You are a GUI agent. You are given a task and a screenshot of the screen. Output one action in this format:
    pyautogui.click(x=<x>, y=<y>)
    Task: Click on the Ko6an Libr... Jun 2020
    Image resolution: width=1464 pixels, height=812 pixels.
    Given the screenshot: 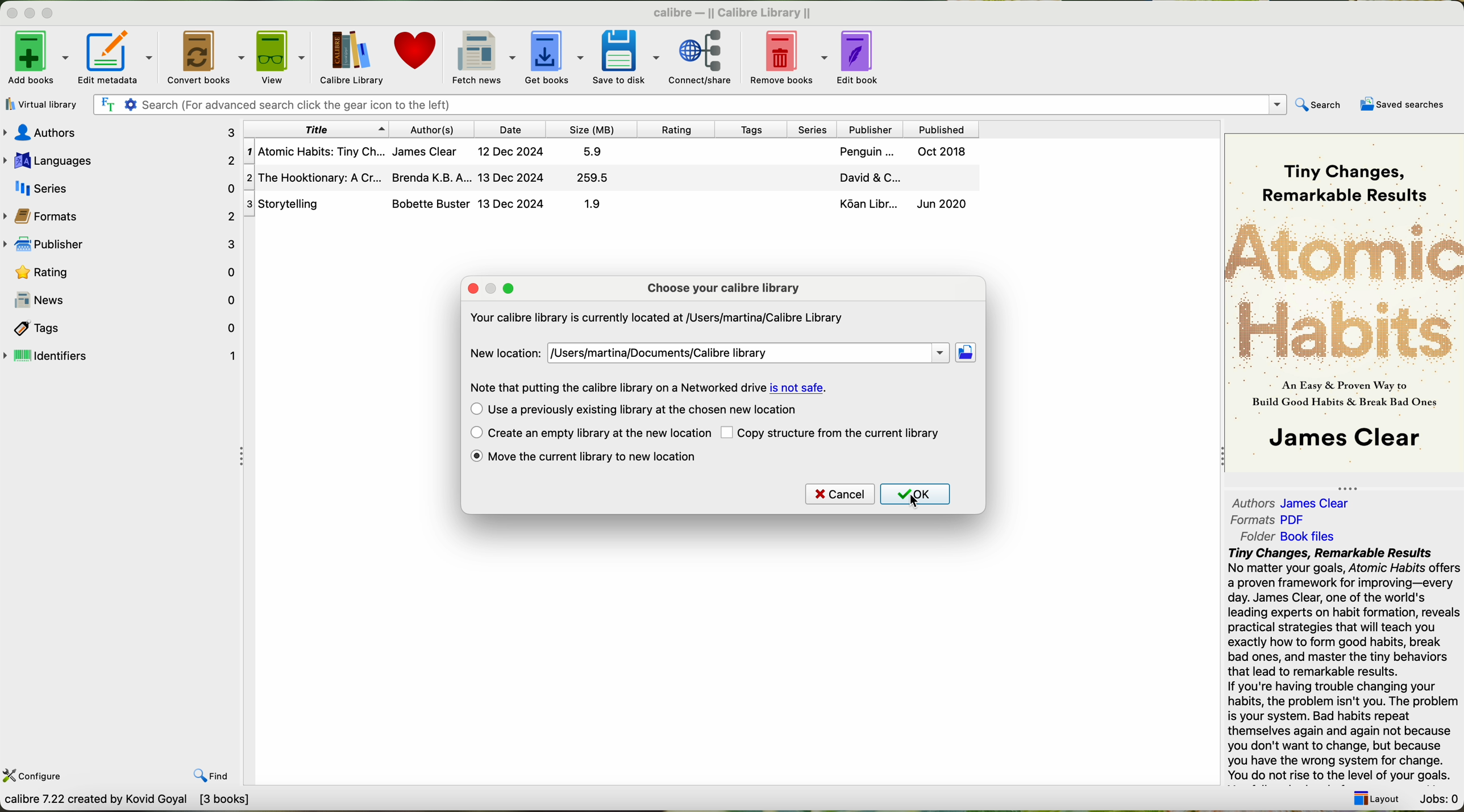 What is the action you would take?
    pyautogui.click(x=900, y=206)
    